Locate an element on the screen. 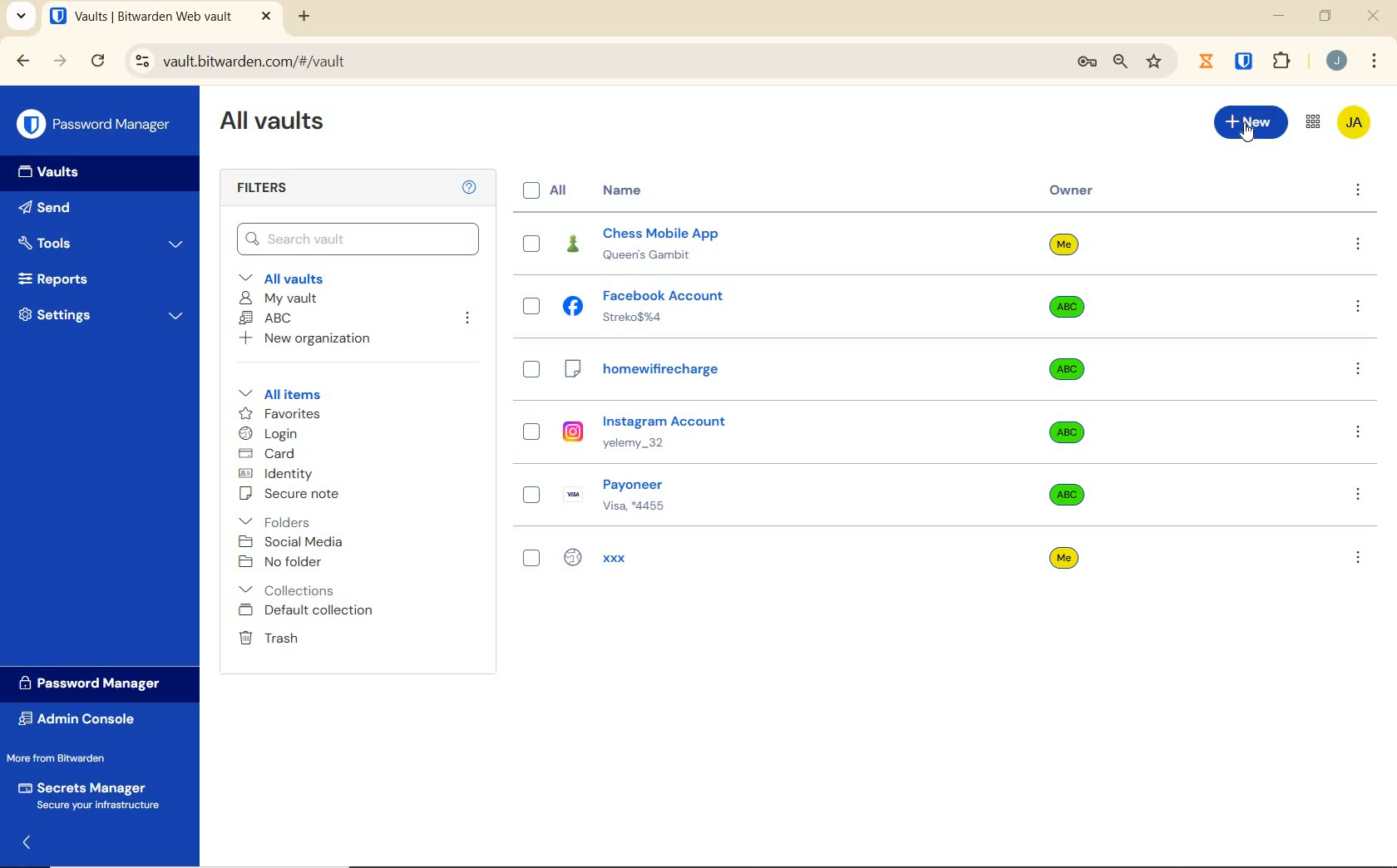 The height and width of the screenshot is (868, 1397). more options is located at coordinates (1358, 496).